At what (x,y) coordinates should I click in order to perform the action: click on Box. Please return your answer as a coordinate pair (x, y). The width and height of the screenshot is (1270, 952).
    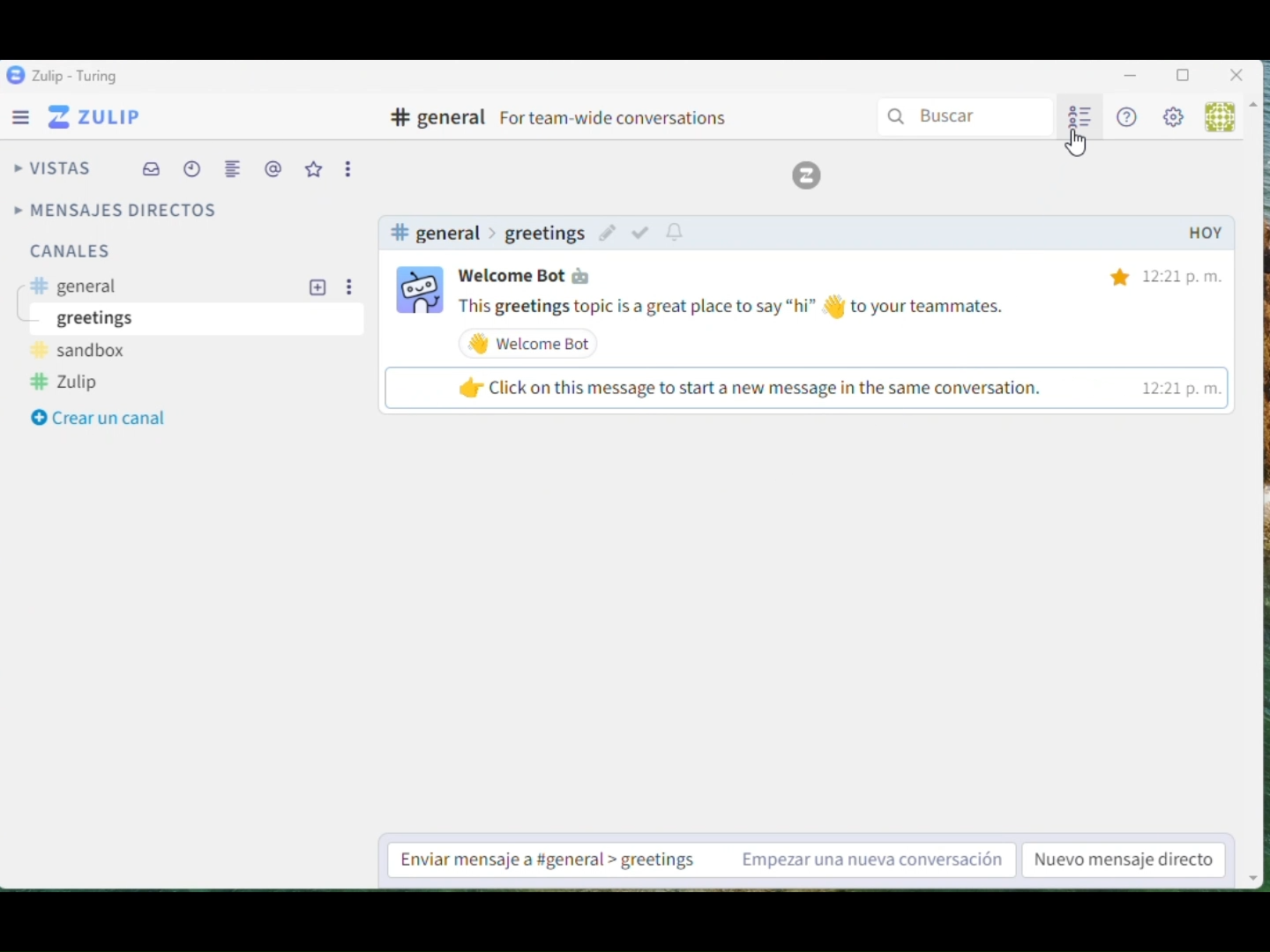
    Looking at the image, I should click on (1184, 71).